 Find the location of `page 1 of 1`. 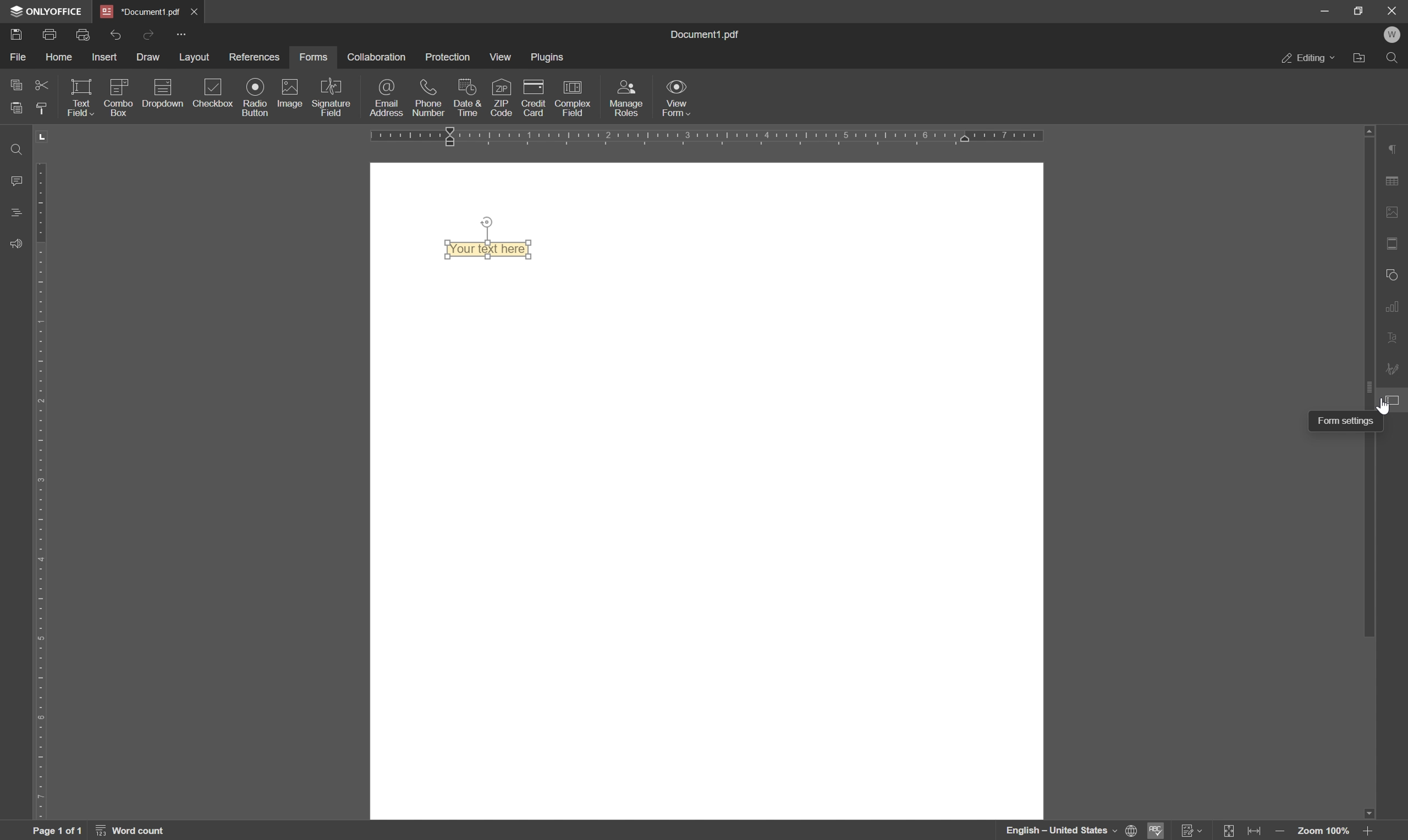

page 1 of 1 is located at coordinates (58, 831).